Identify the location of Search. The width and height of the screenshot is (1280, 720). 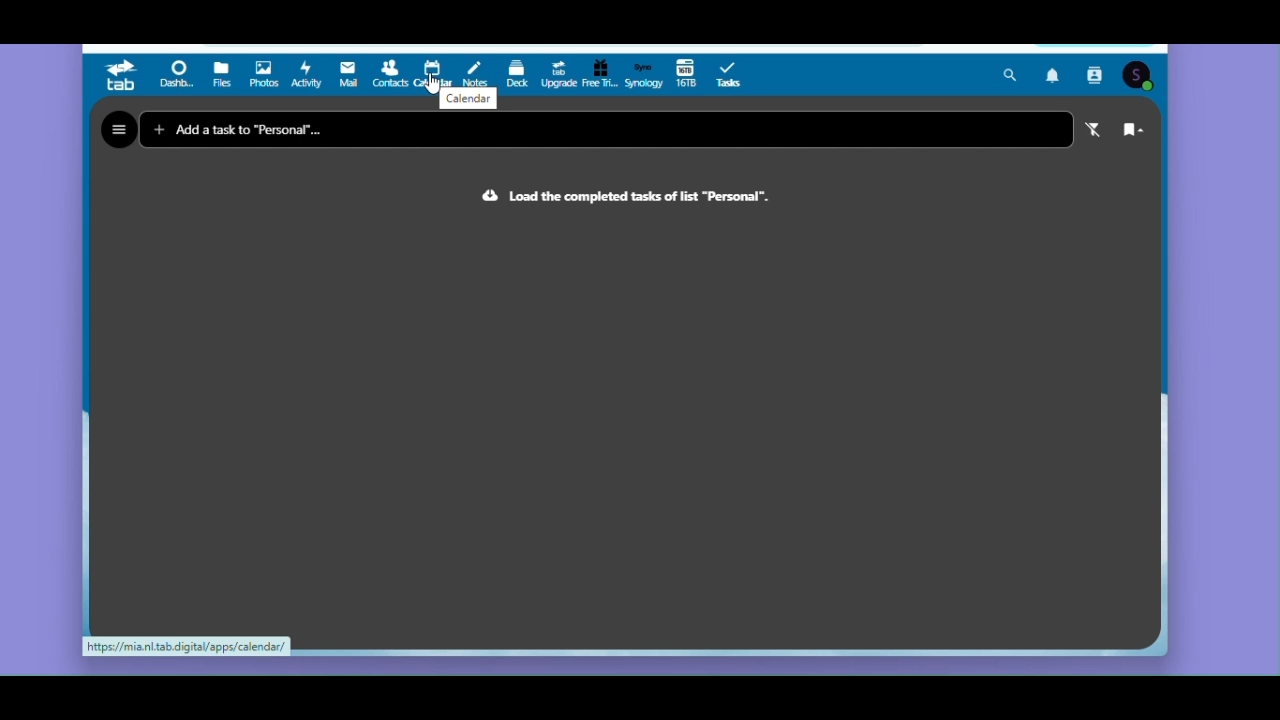
(1010, 75).